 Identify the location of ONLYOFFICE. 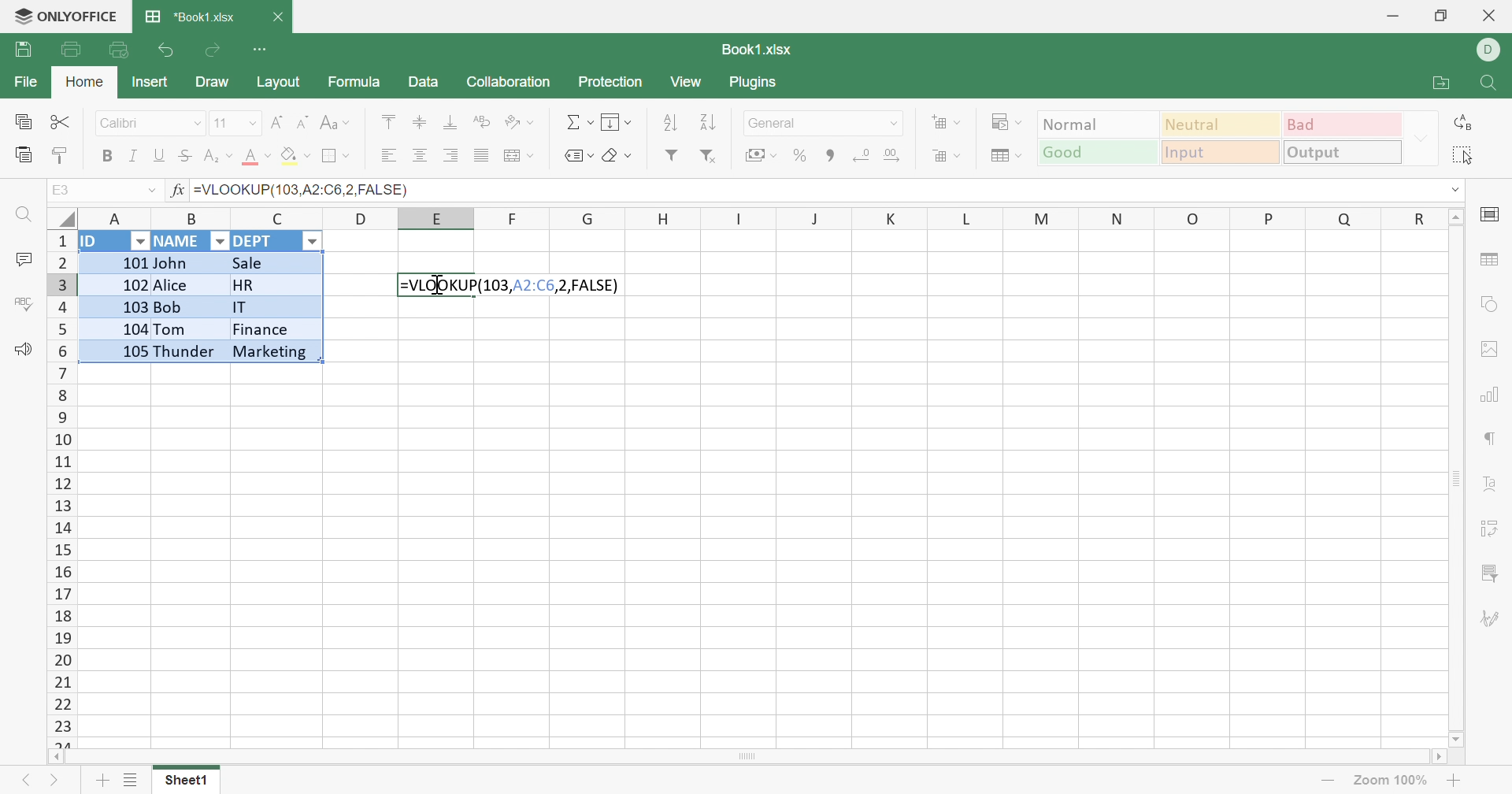
(67, 17).